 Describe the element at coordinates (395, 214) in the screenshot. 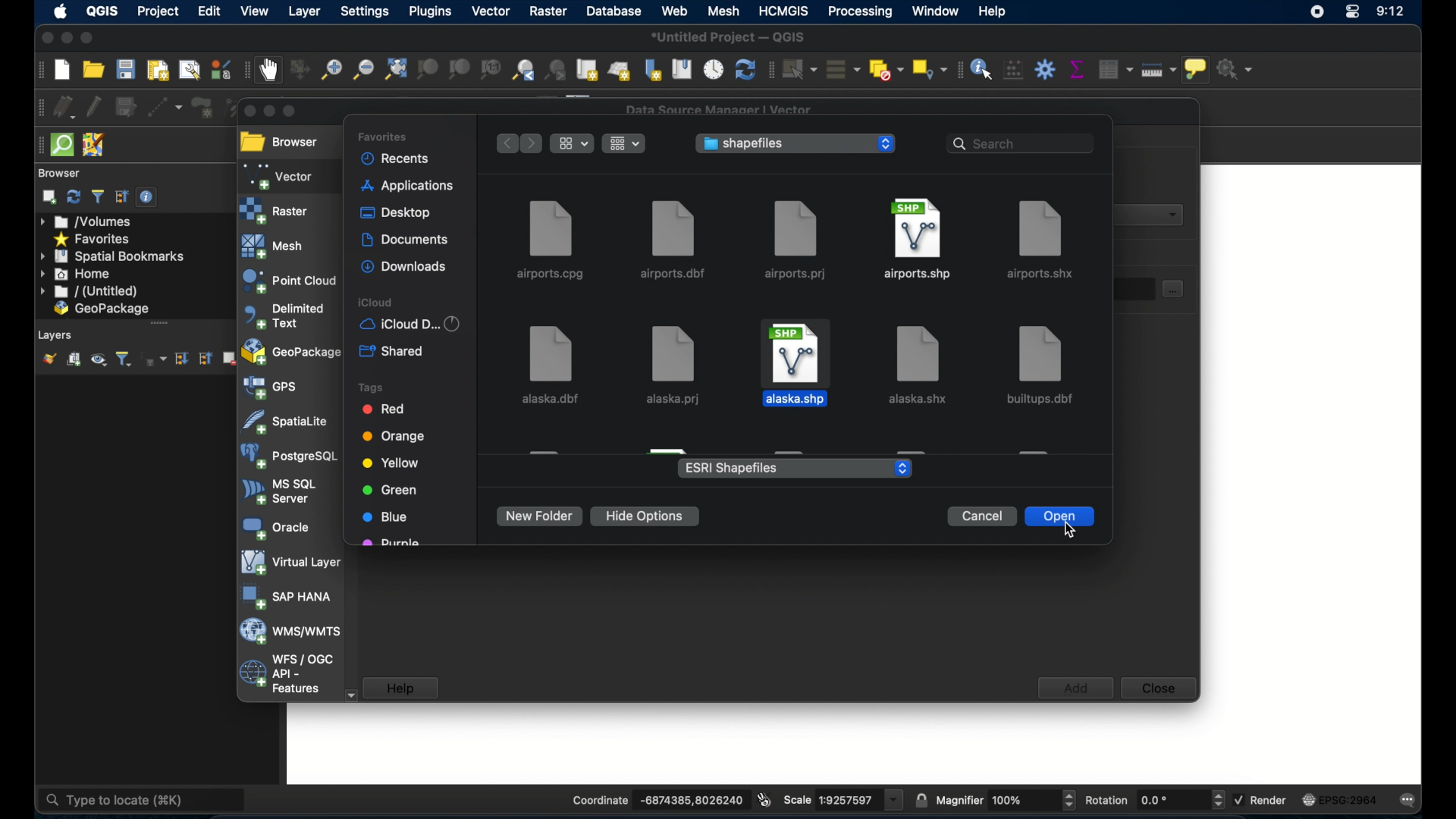

I see `desktop` at that location.